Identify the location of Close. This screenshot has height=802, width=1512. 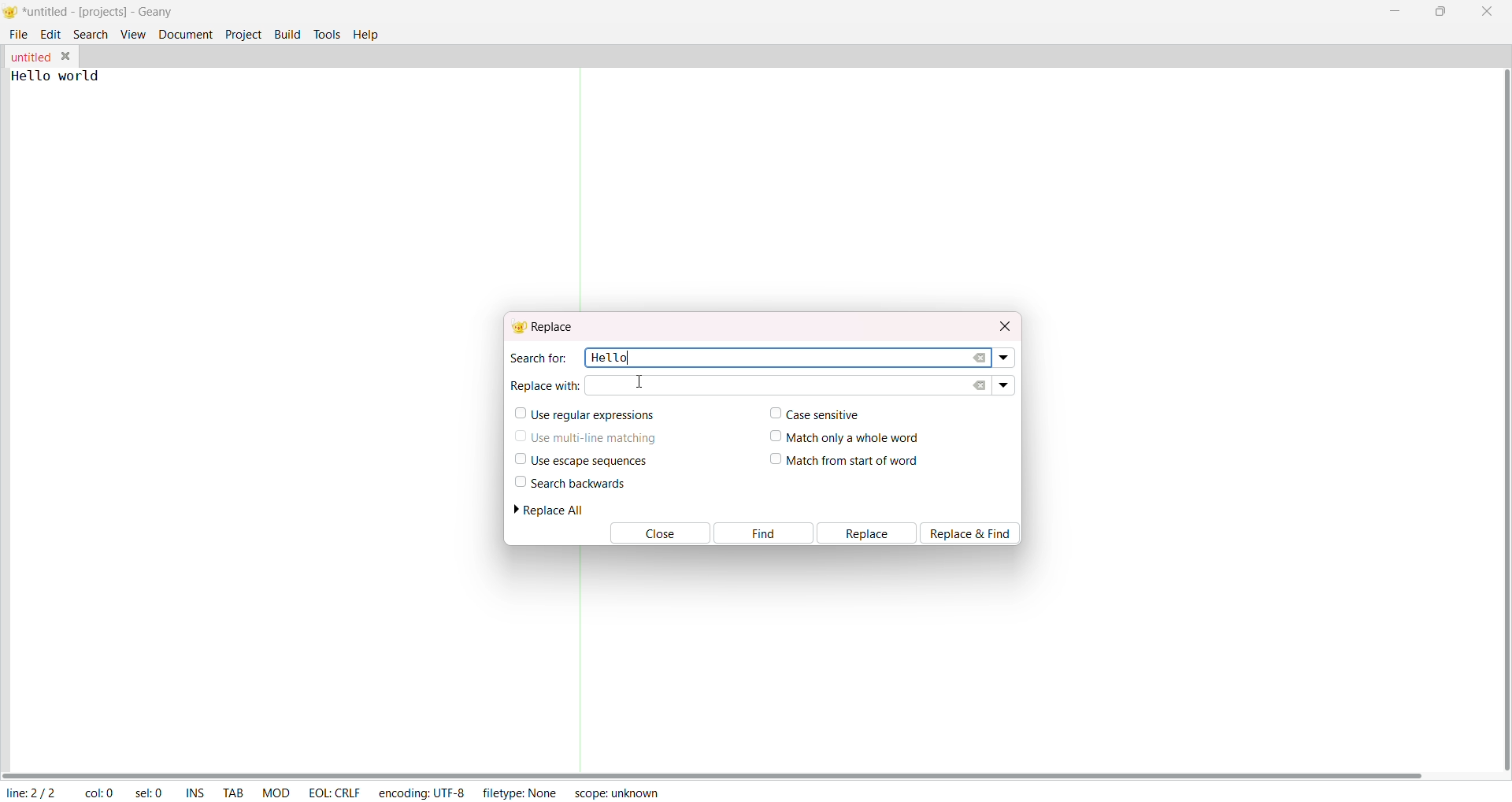
(658, 534).